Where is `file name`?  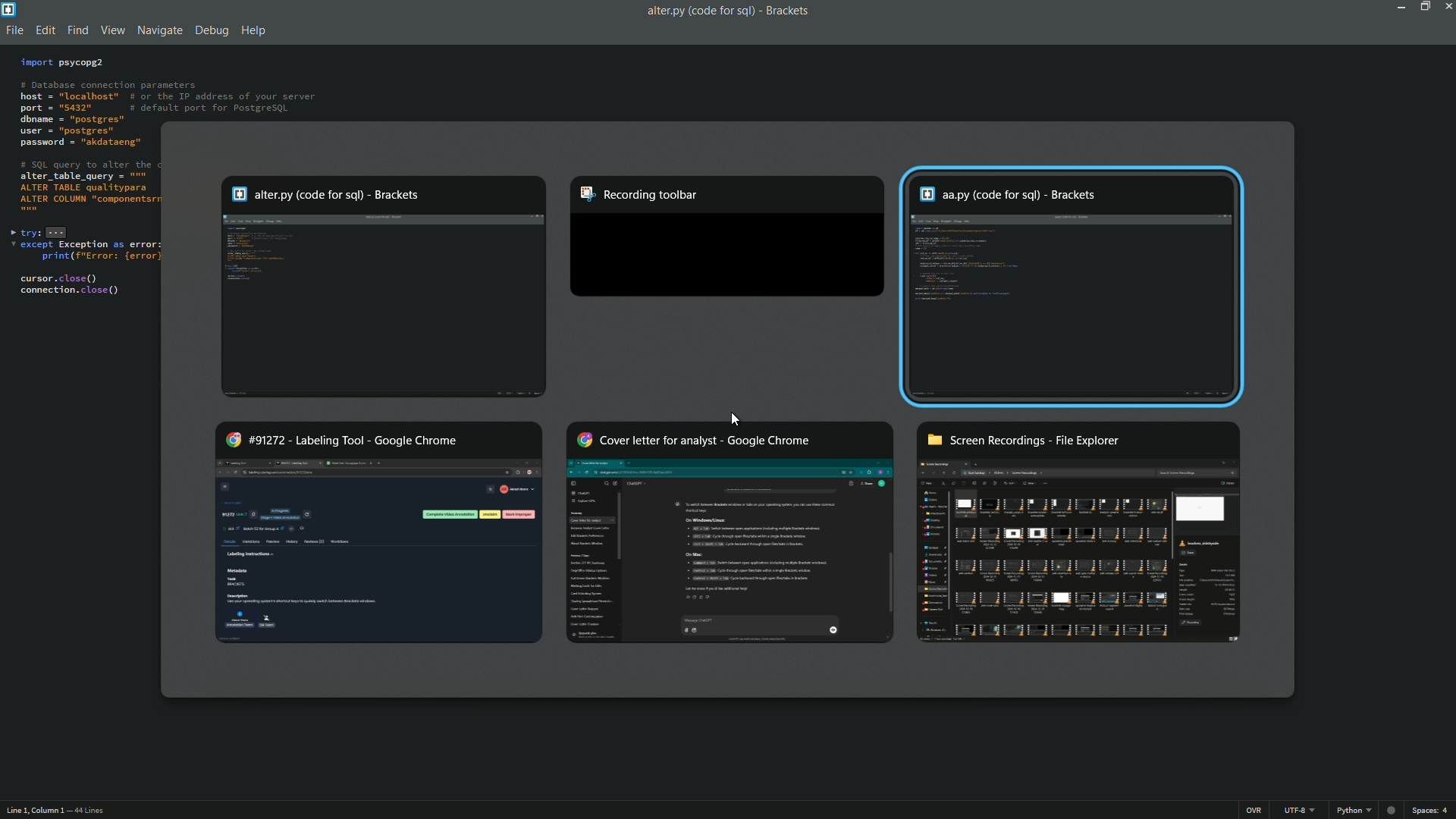
file name is located at coordinates (697, 11).